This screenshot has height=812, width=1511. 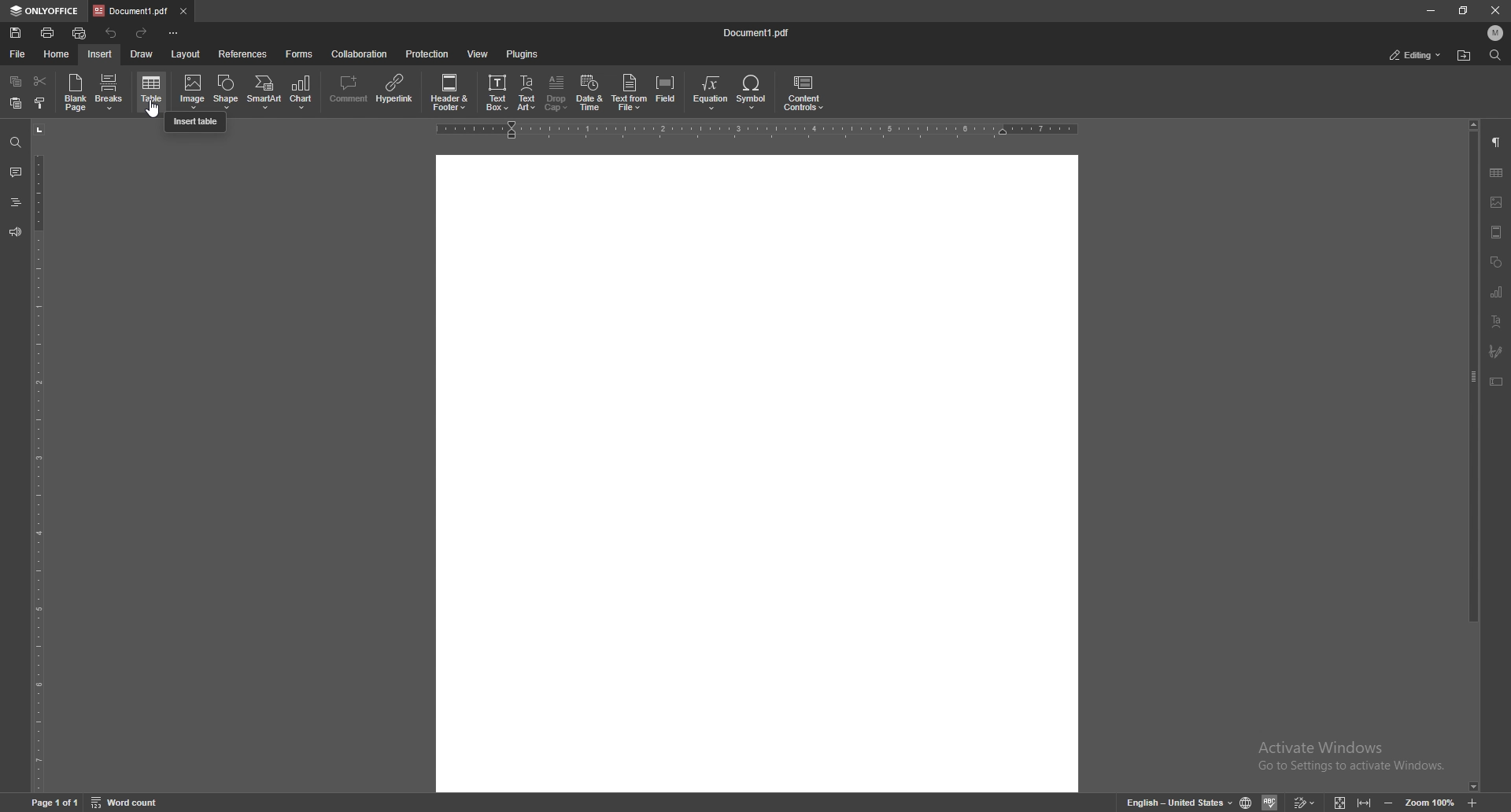 I want to click on references, so click(x=244, y=54).